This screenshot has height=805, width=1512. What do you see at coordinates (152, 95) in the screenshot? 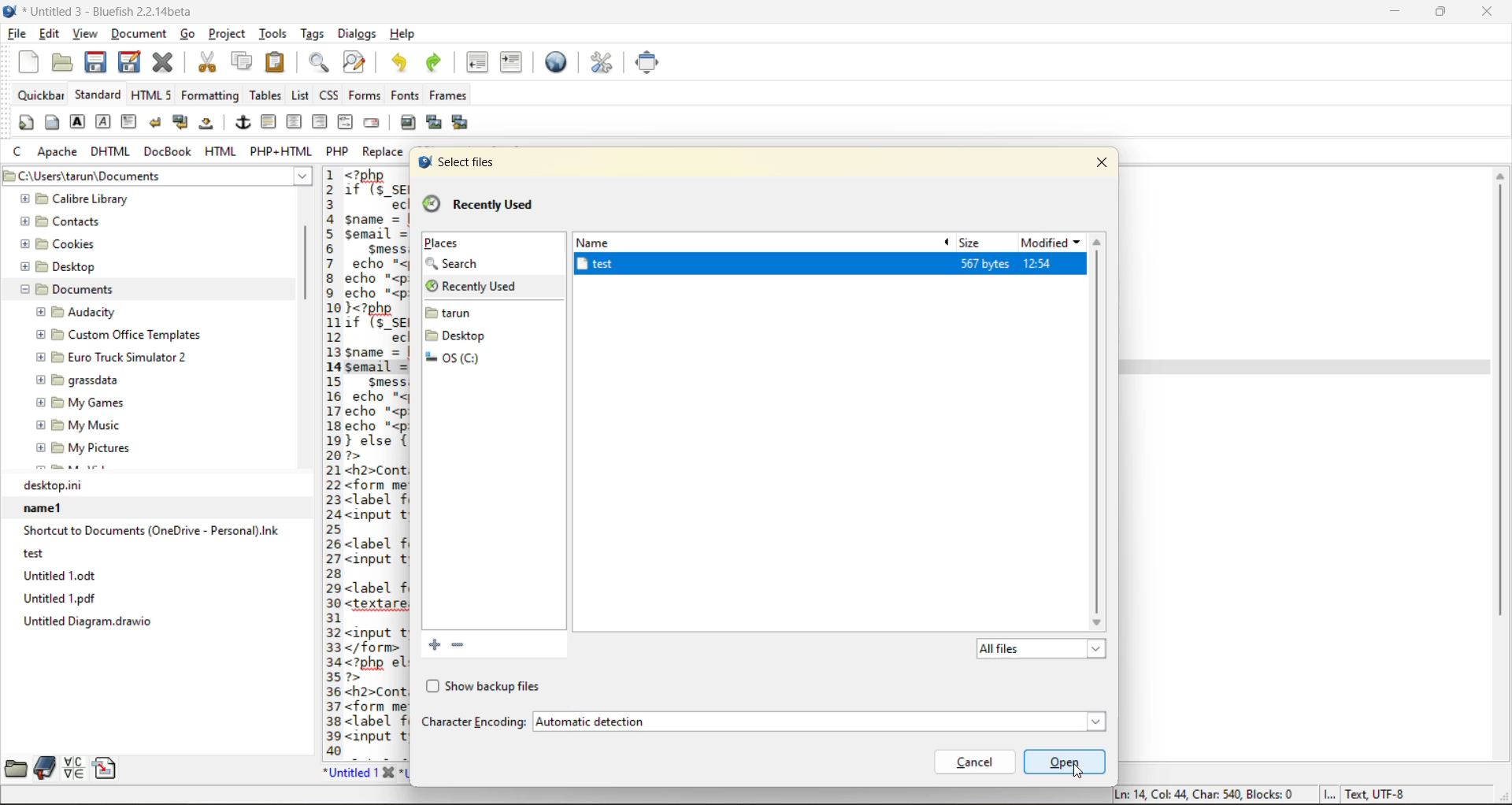
I see `html 5` at bounding box center [152, 95].